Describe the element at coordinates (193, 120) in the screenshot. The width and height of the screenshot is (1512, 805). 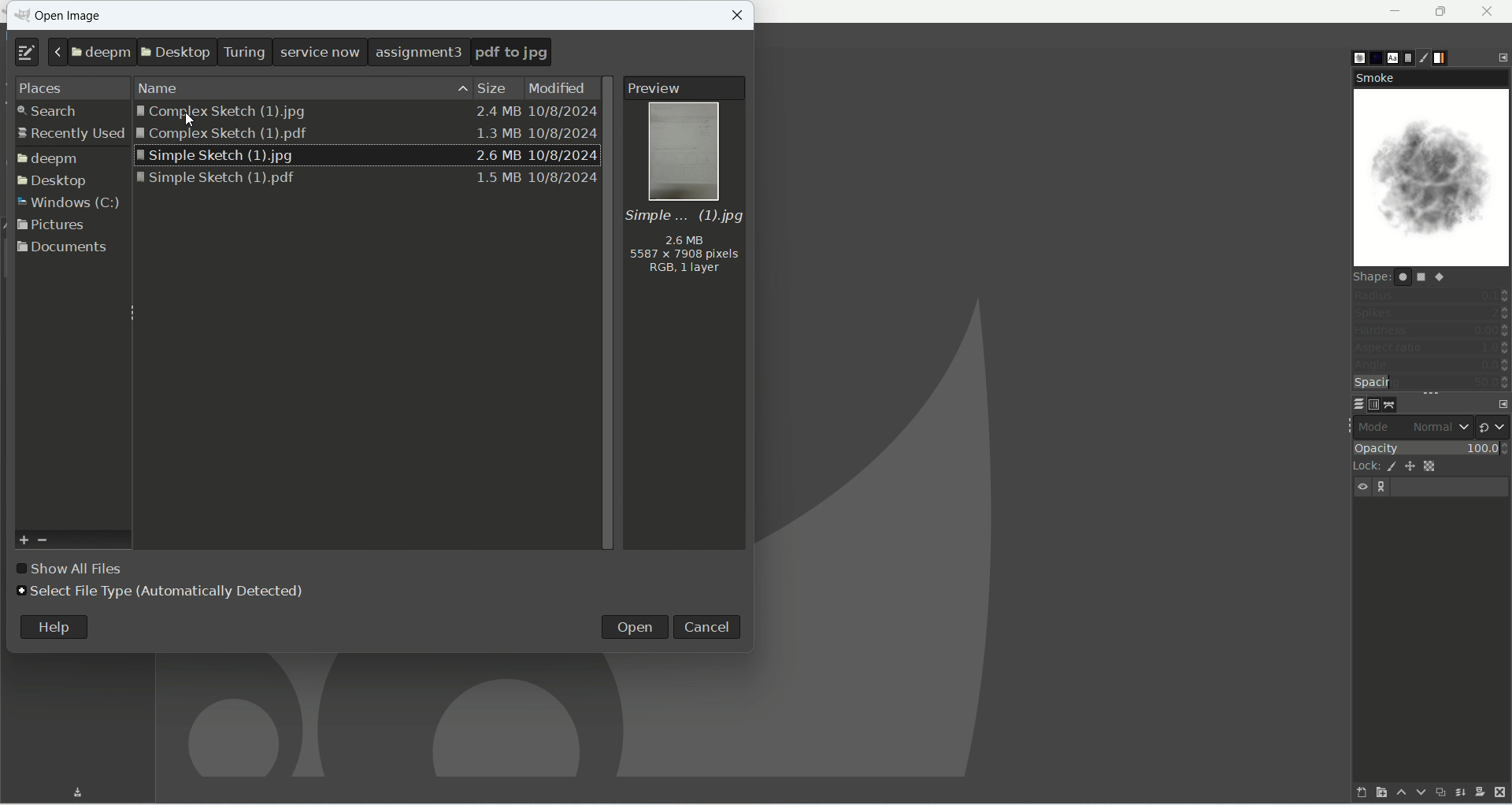
I see `Cursor` at that location.